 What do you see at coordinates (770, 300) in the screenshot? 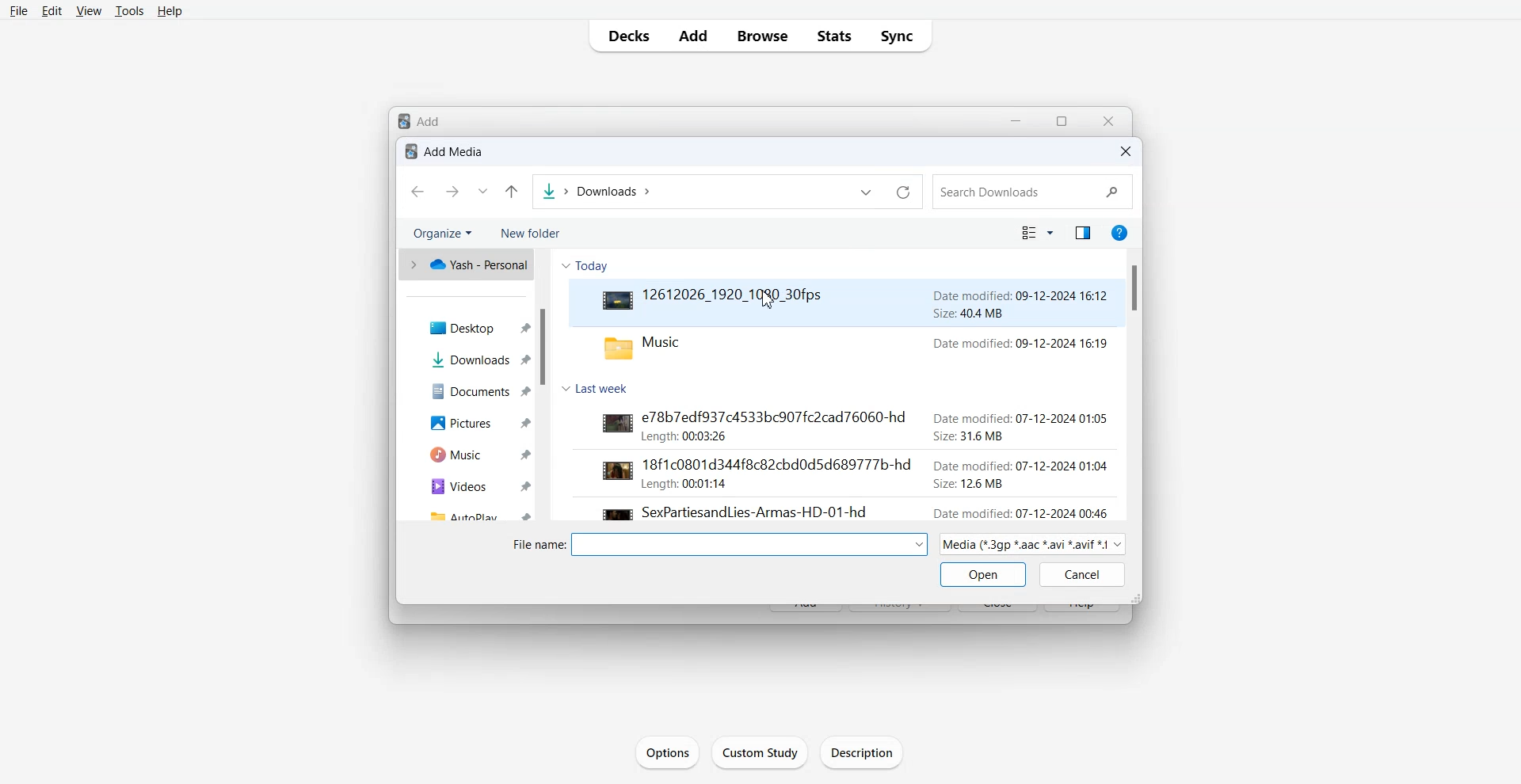
I see `Cursor` at bounding box center [770, 300].